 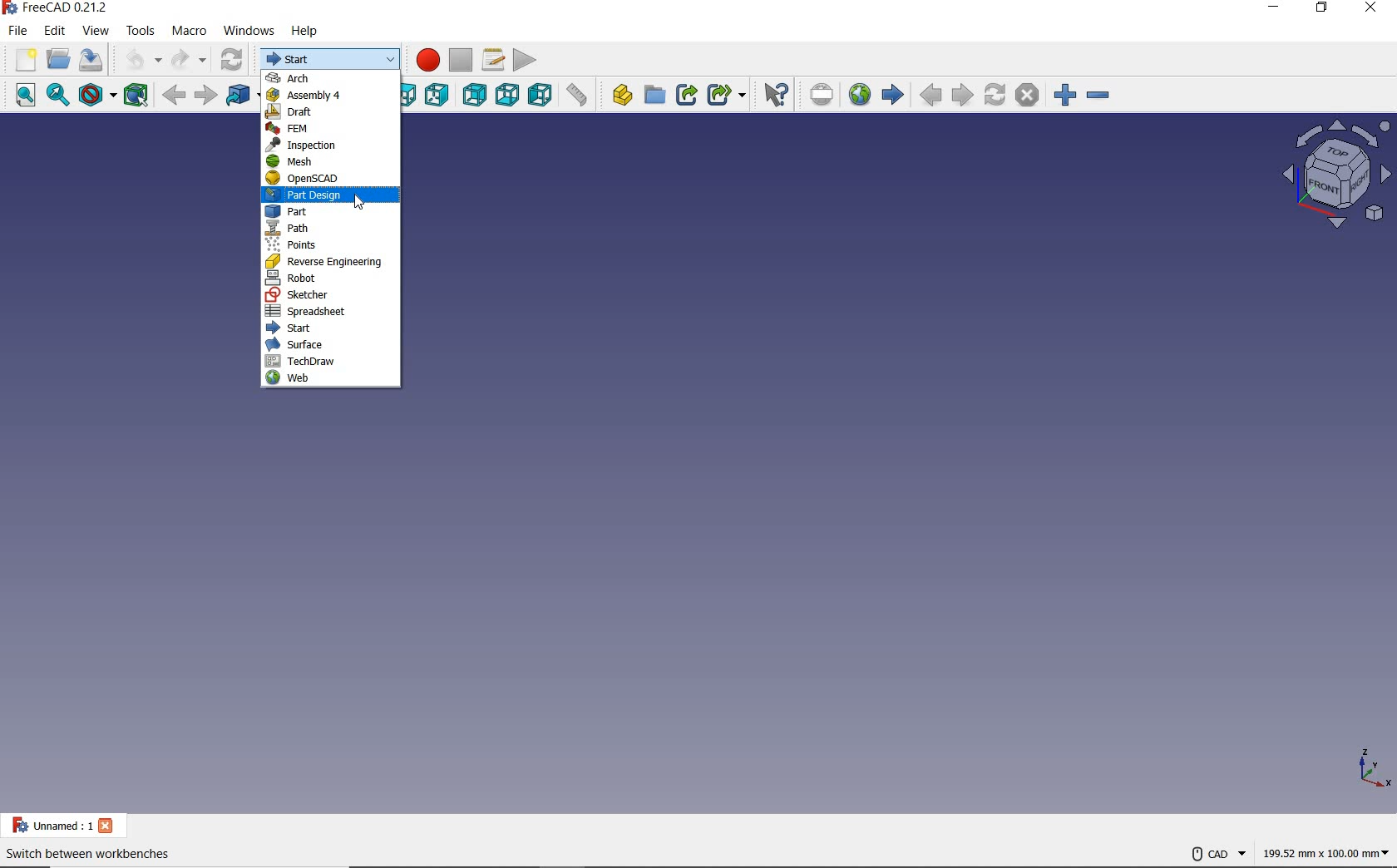 I want to click on Switch between workbenches, so click(x=96, y=856).